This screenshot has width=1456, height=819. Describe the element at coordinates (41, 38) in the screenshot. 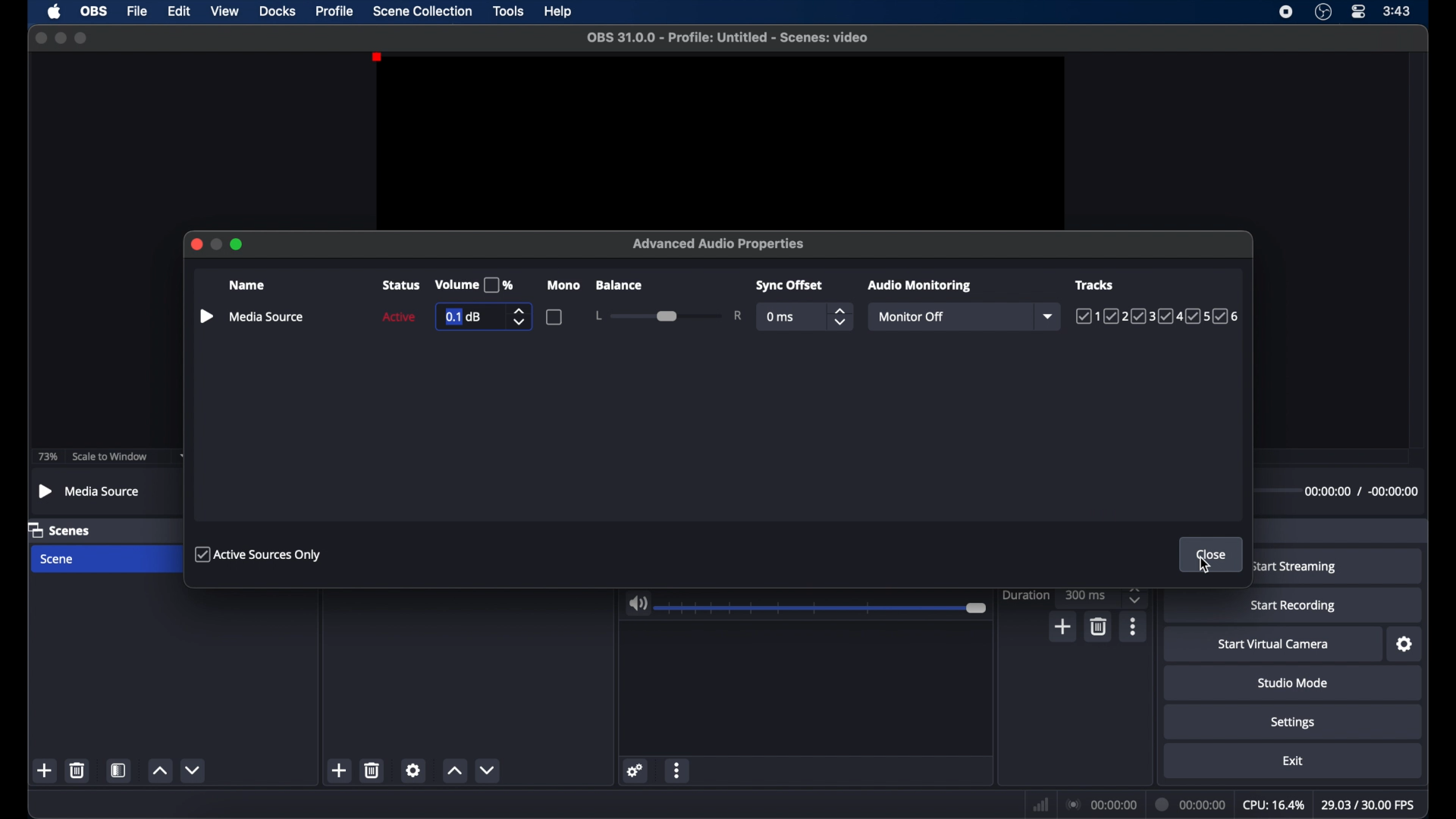

I see `close` at that location.